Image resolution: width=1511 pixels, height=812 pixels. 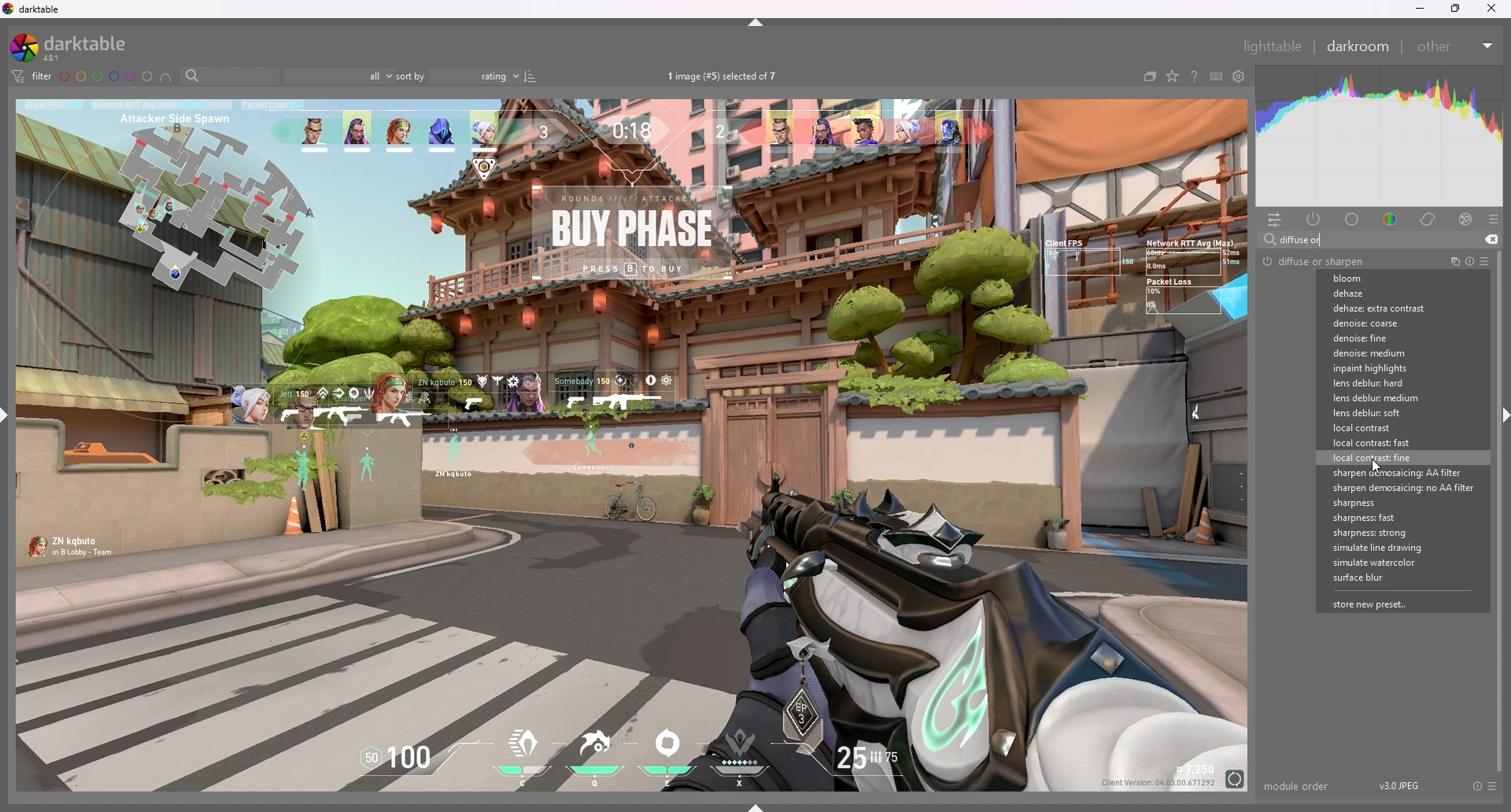 I want to click on store new preset, so click(x=1378, y=604).